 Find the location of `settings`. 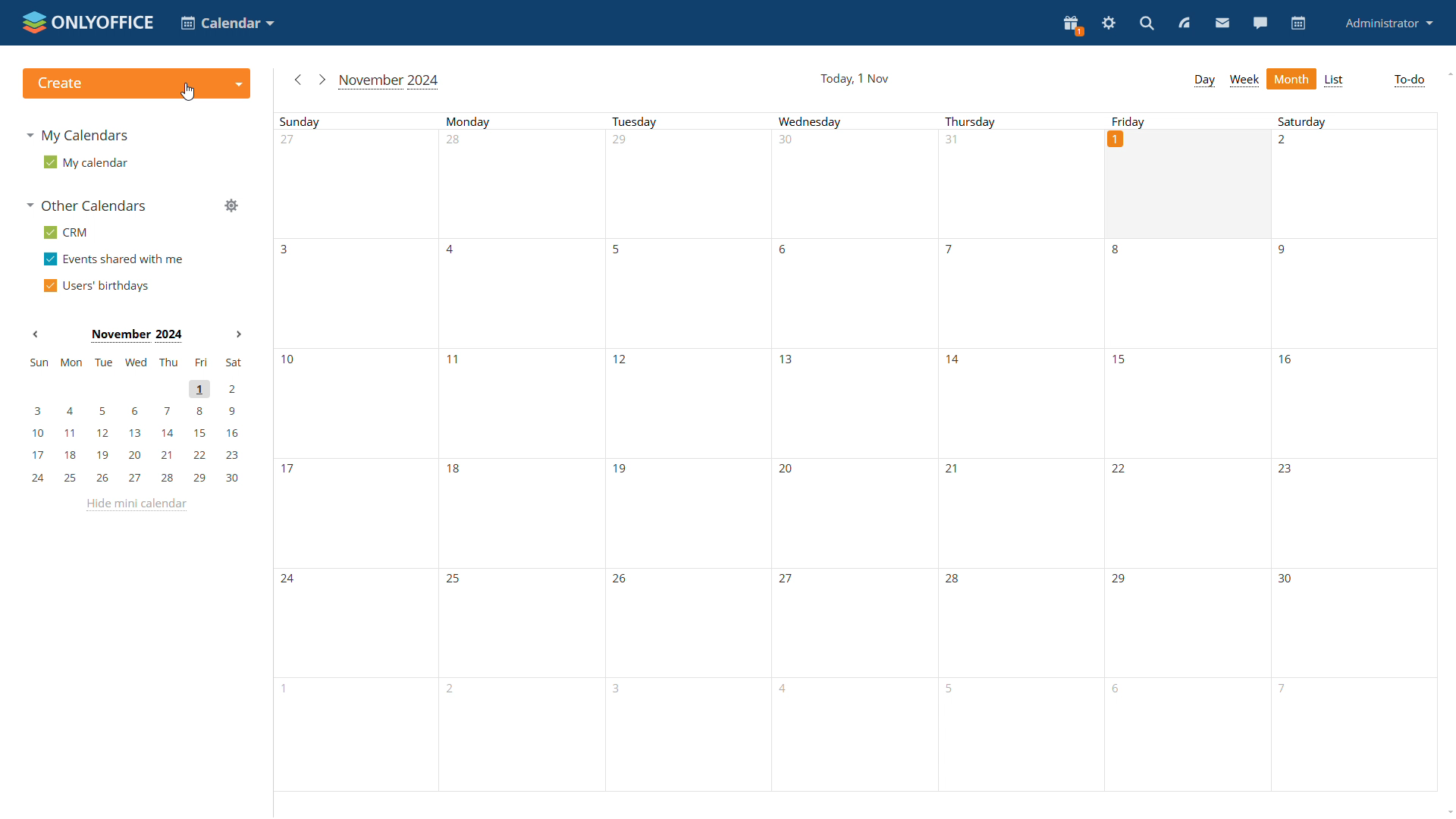

settings is located at coordinates (1109, 24).